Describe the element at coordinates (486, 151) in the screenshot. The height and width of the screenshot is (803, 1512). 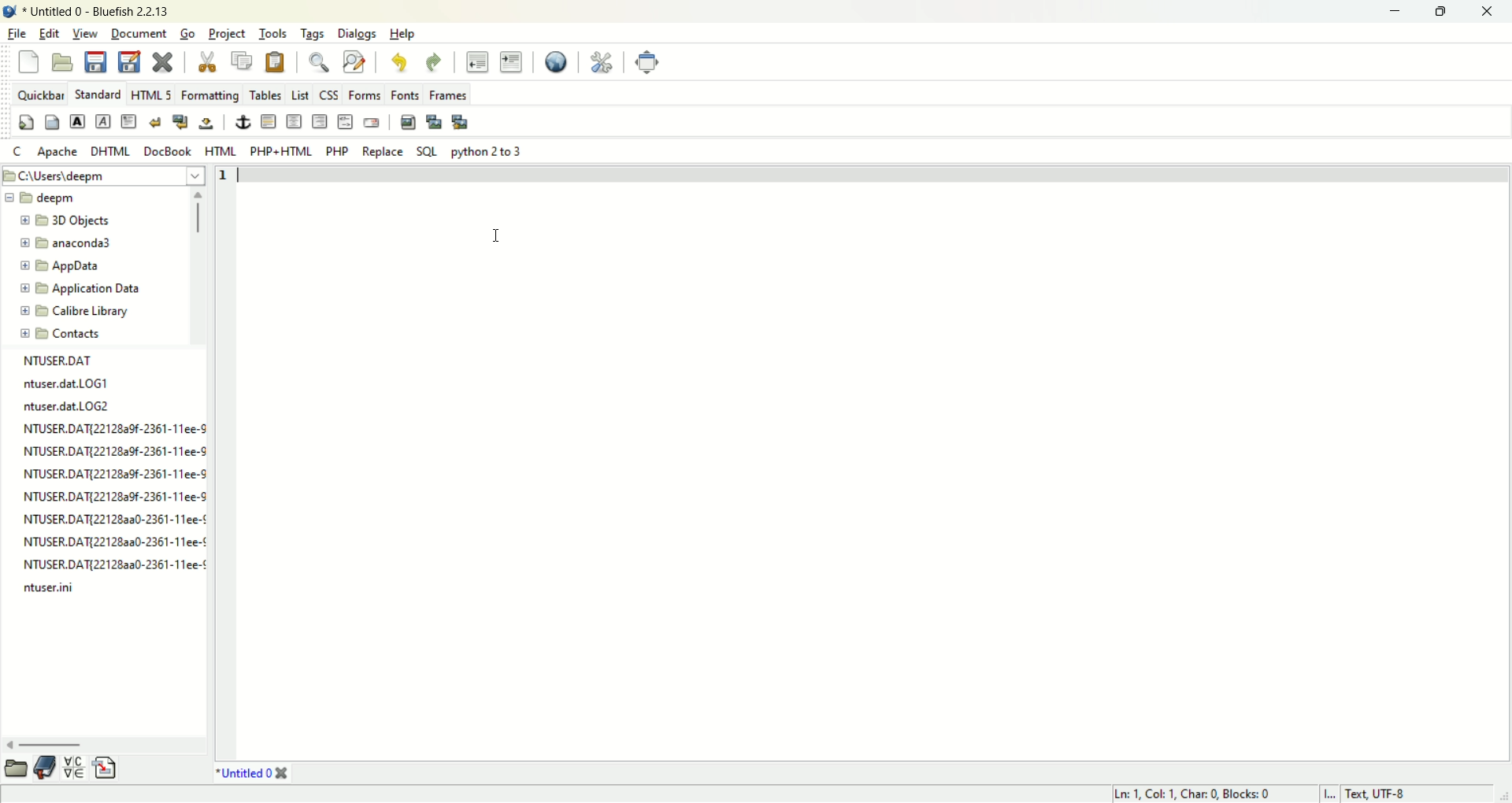
I see `python 2 to 3` at that location.